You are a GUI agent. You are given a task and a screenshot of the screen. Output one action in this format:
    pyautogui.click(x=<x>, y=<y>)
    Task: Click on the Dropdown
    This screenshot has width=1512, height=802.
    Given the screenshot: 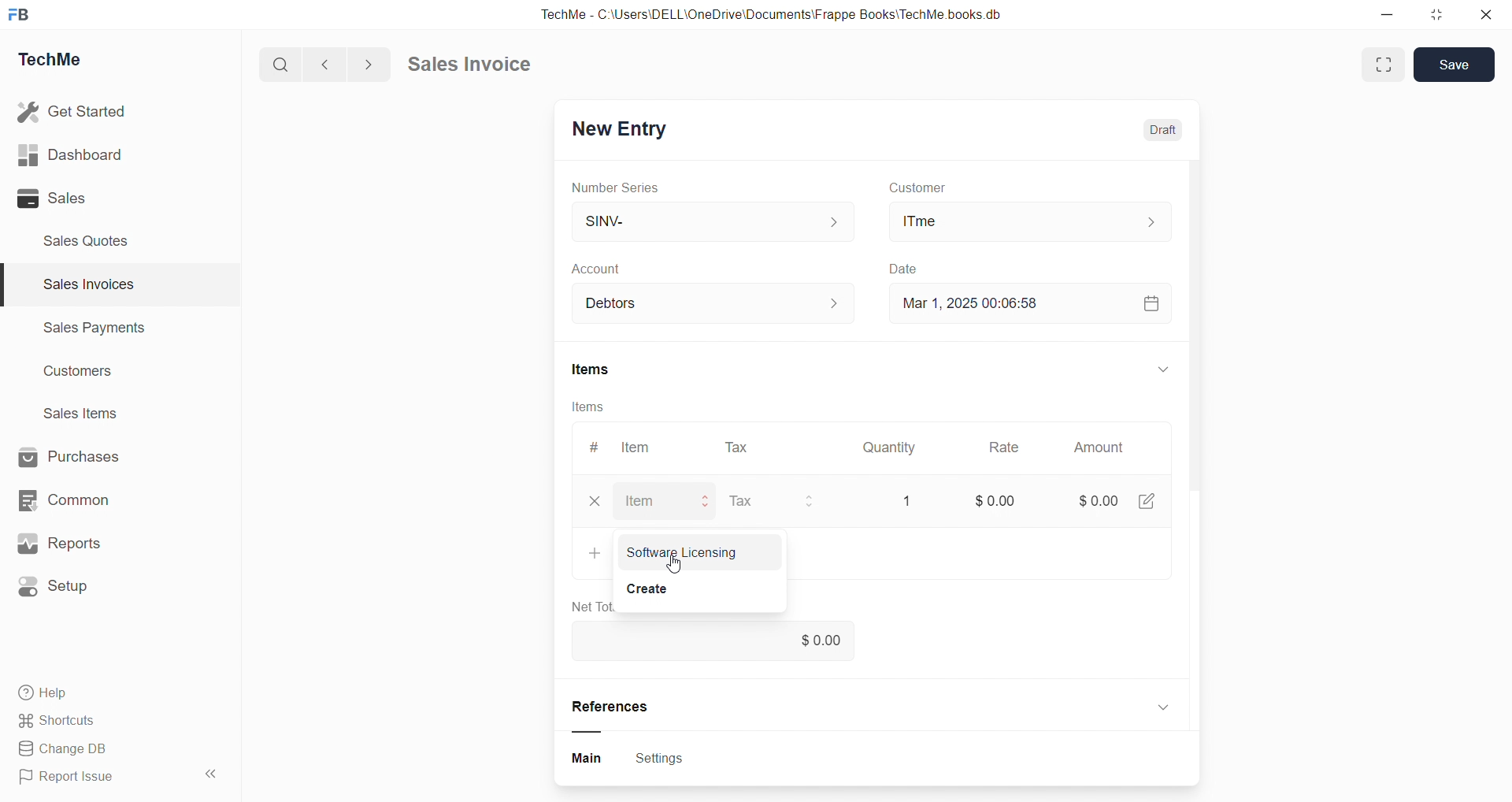 What is the action you would take?
    pyautogui.click(x=1161, y=704)
    